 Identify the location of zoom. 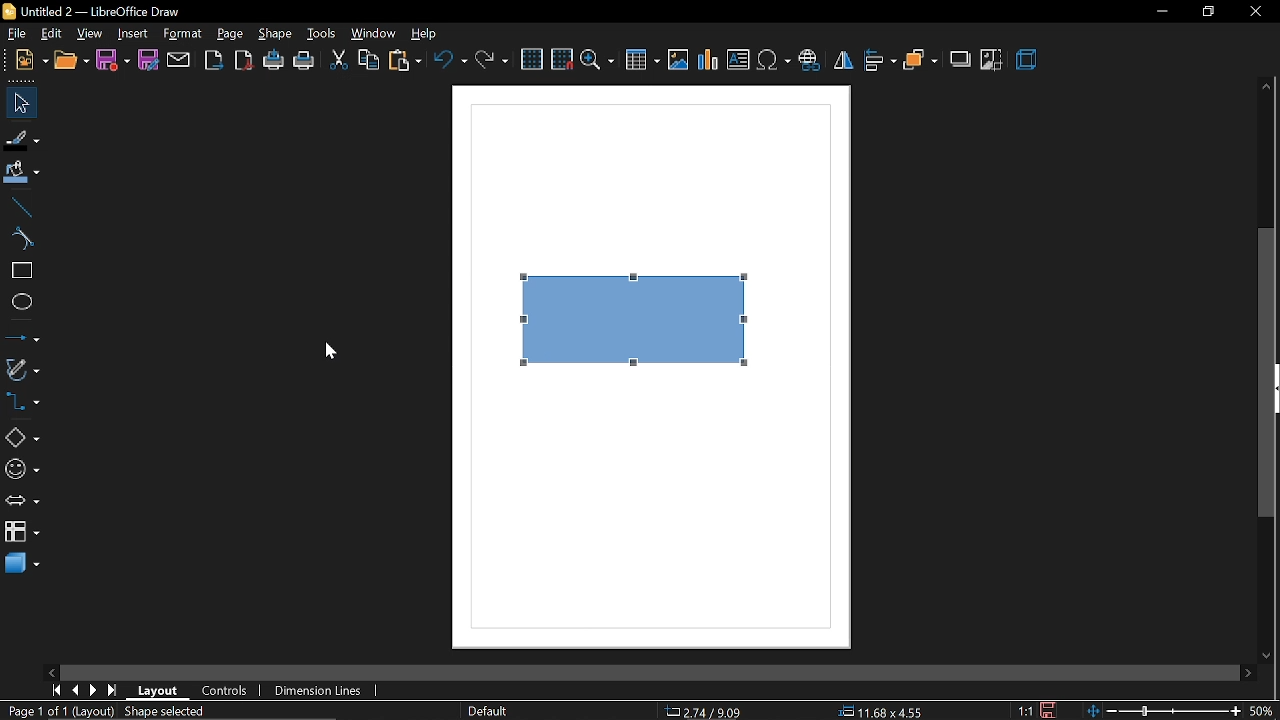
(599, 62).